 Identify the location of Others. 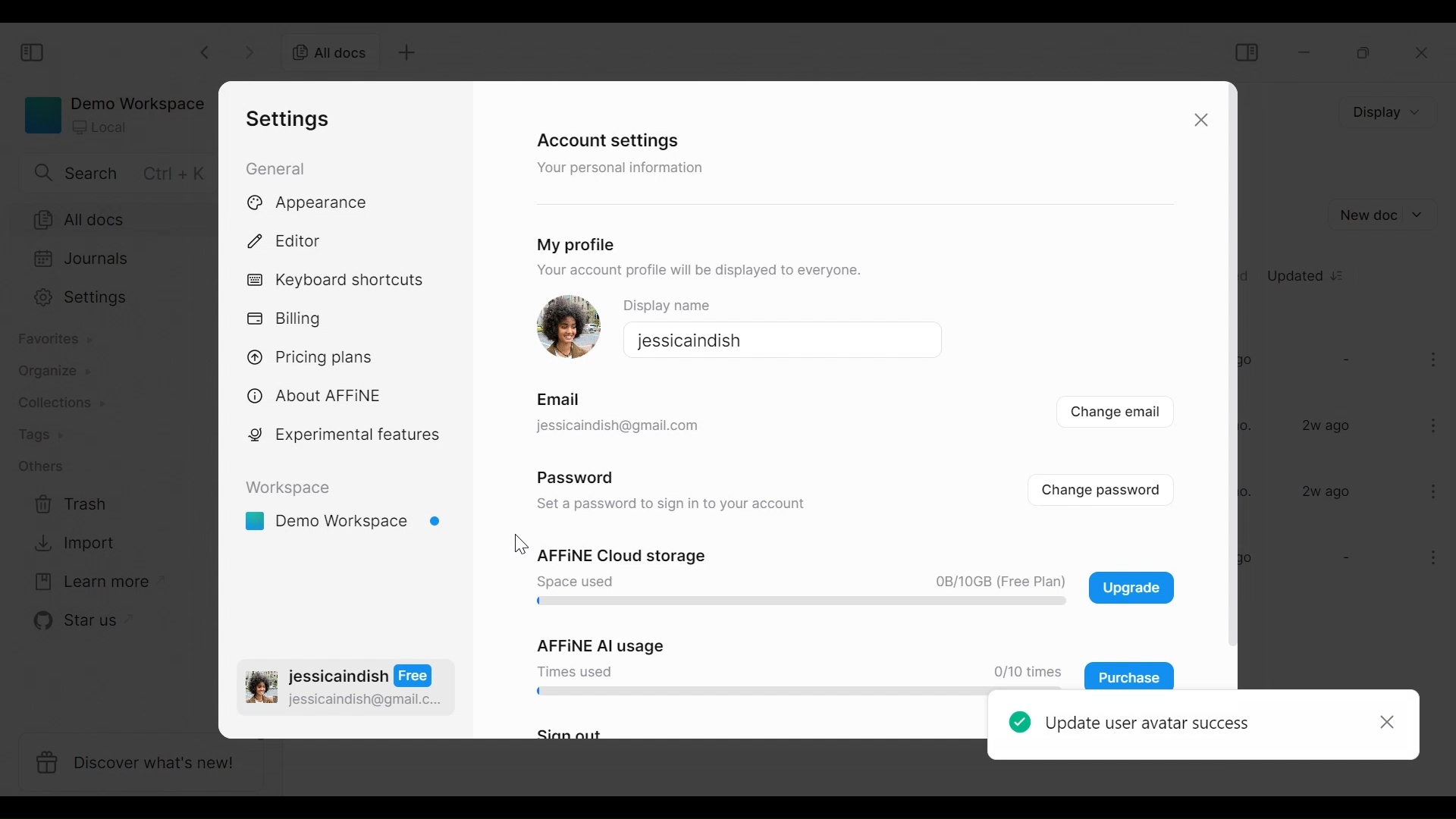
(42, 468).